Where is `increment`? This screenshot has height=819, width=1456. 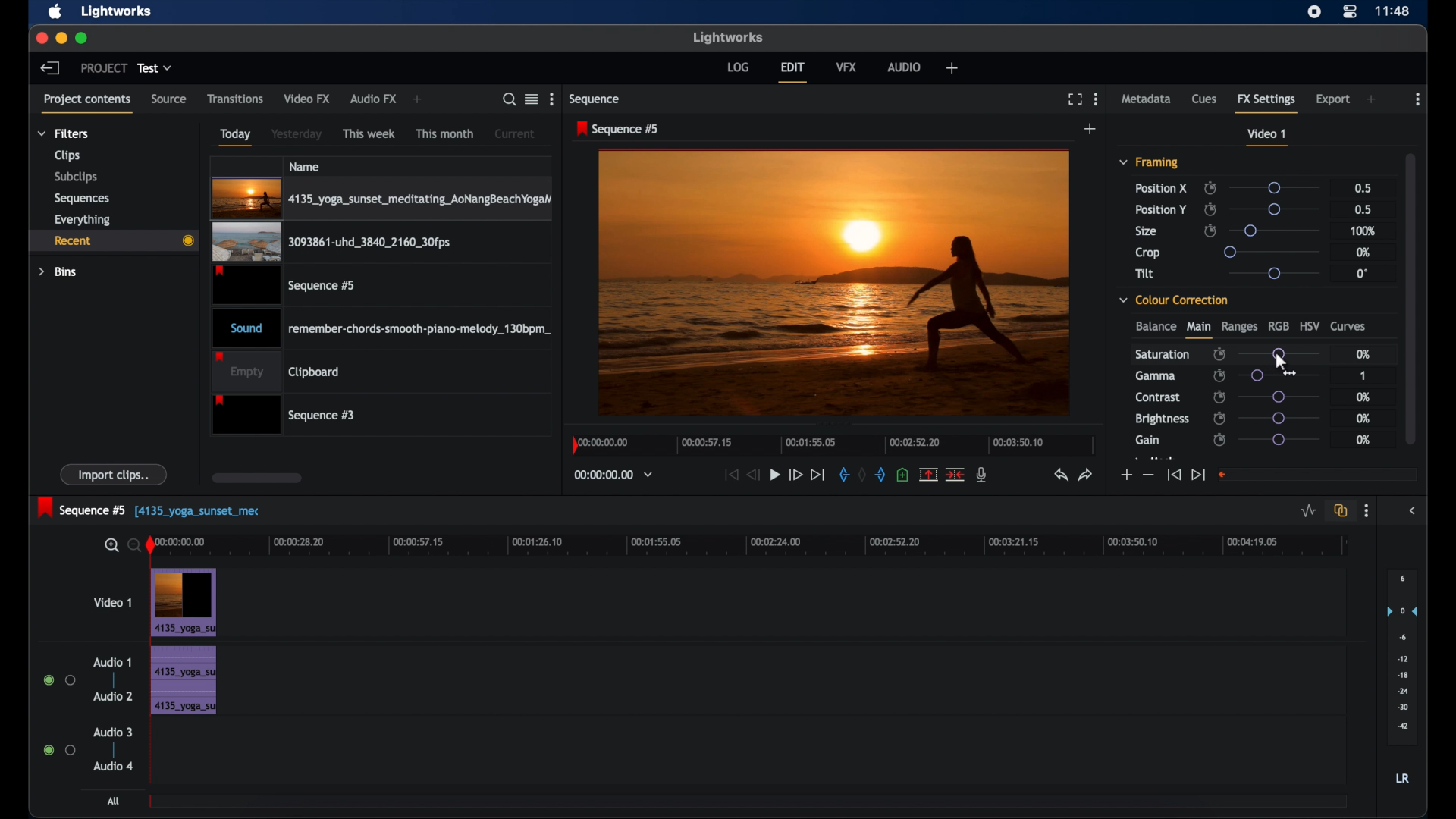 increment is located at coordinates (1125, 475).